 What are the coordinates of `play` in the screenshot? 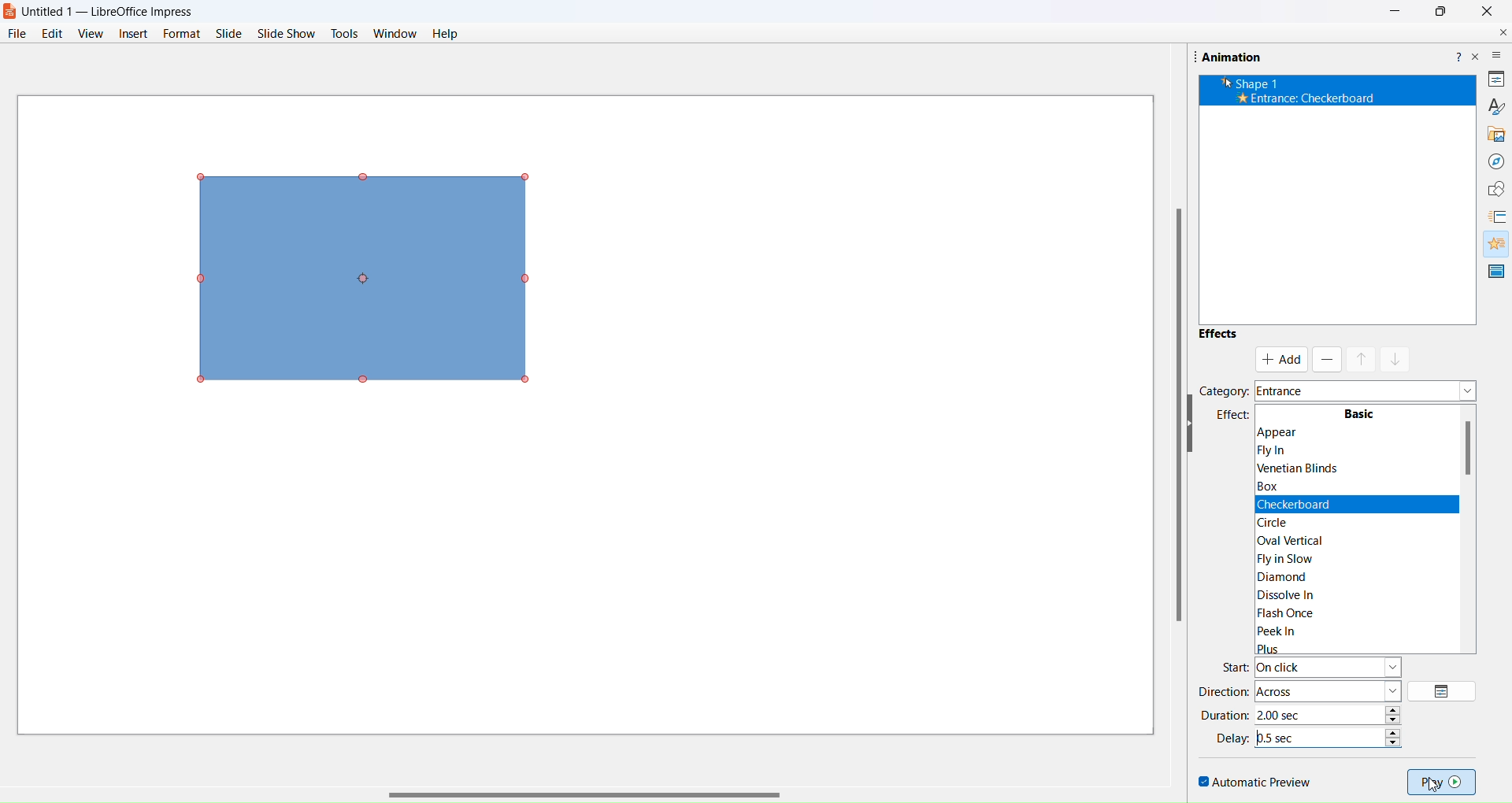 It's located at (1443, 780).